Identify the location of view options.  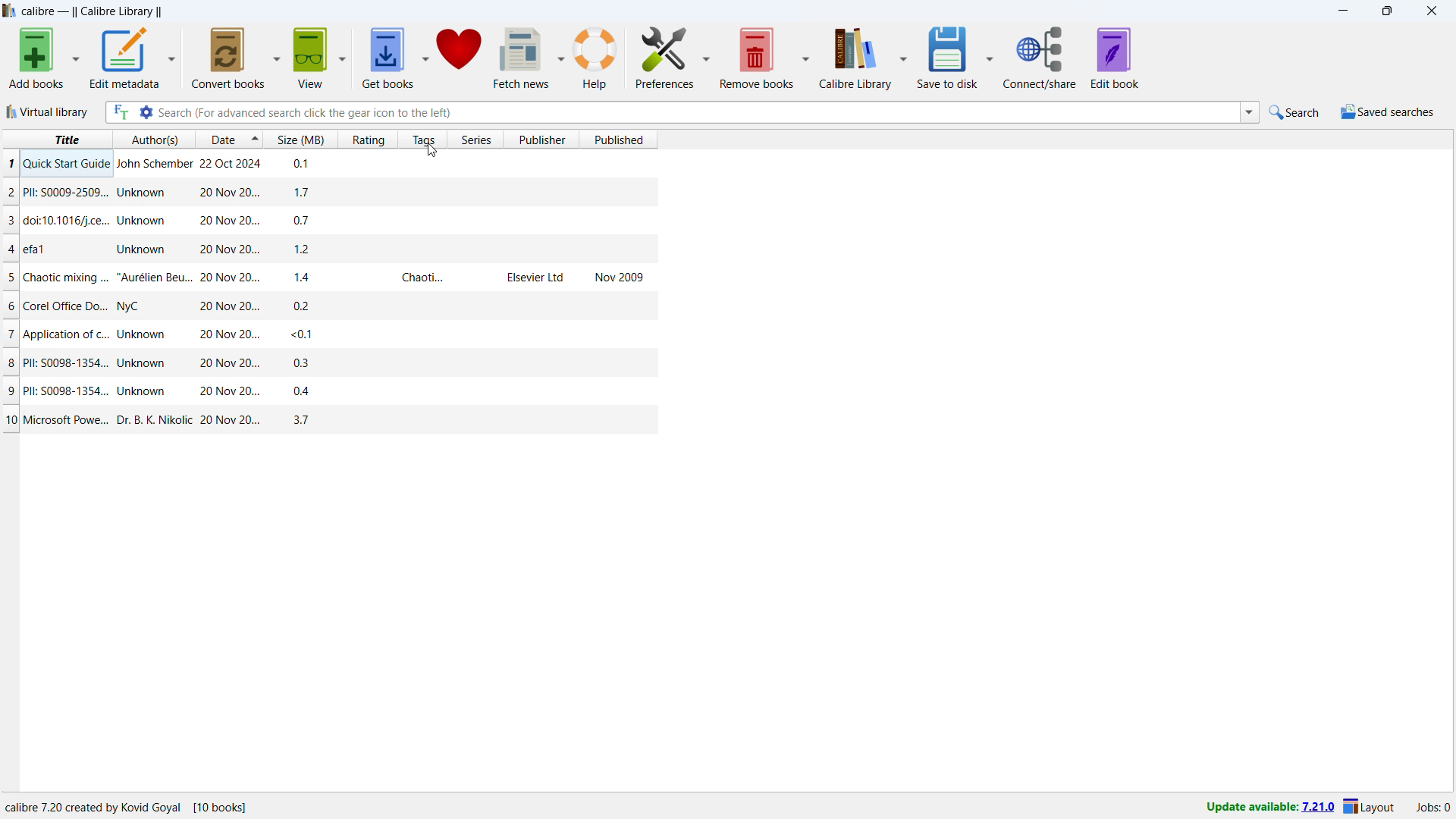
(342, 57).